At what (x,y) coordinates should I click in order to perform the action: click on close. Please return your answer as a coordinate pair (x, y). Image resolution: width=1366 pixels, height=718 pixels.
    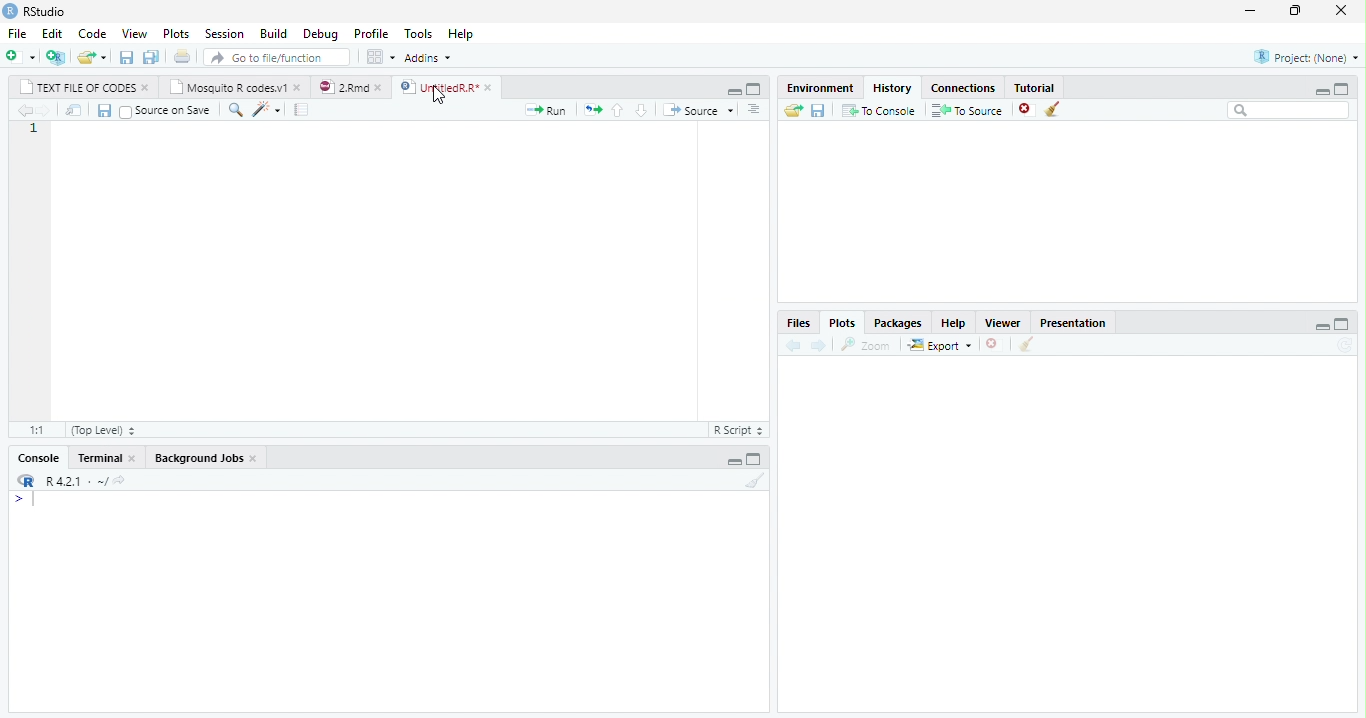
    Looking at the image, I should click on (992, 343).